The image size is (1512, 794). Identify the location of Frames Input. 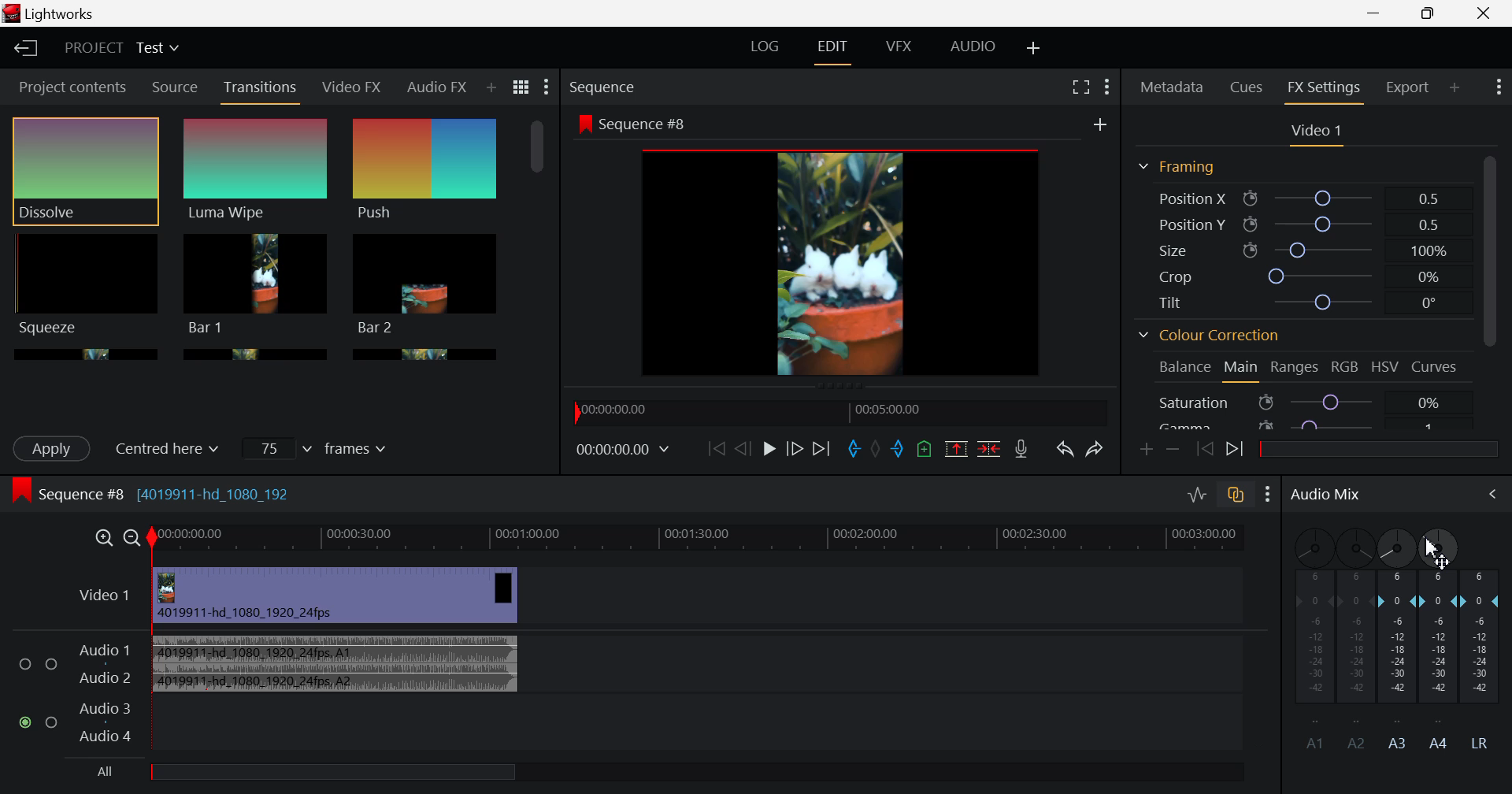
(318, 447).